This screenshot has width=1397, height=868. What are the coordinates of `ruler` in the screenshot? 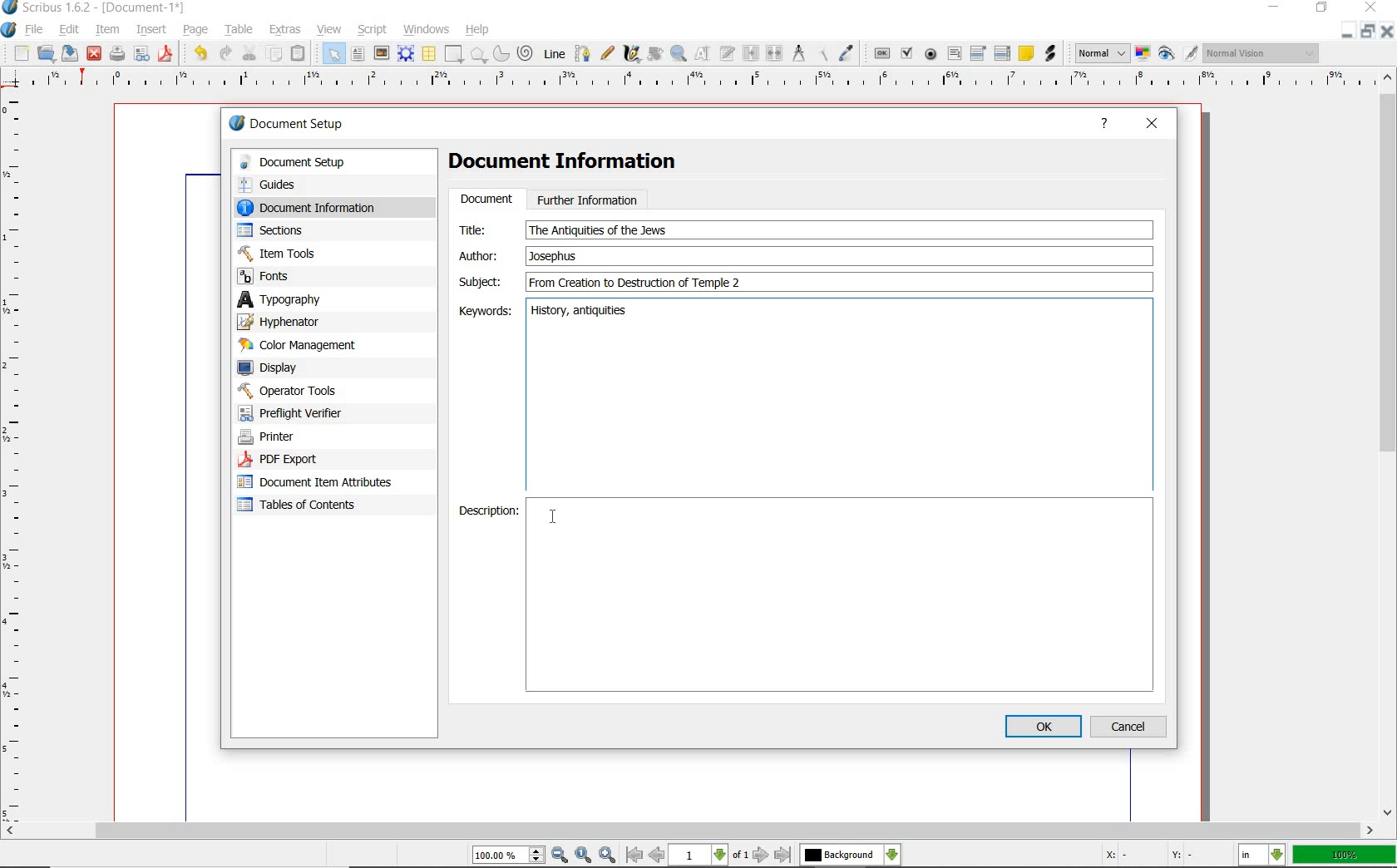 It's located at (17, 456).